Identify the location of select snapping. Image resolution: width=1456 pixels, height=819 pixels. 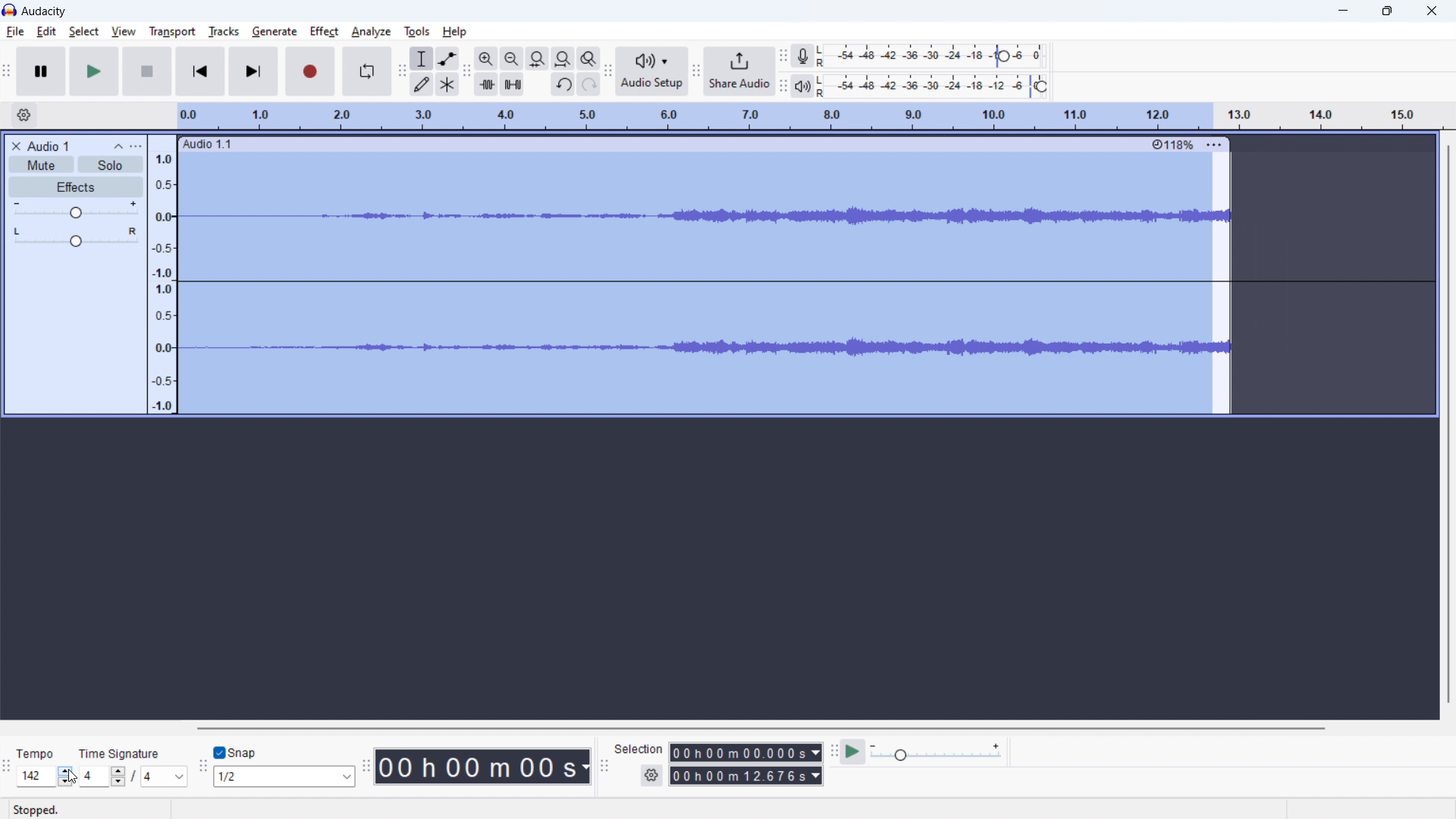
(285, 776).